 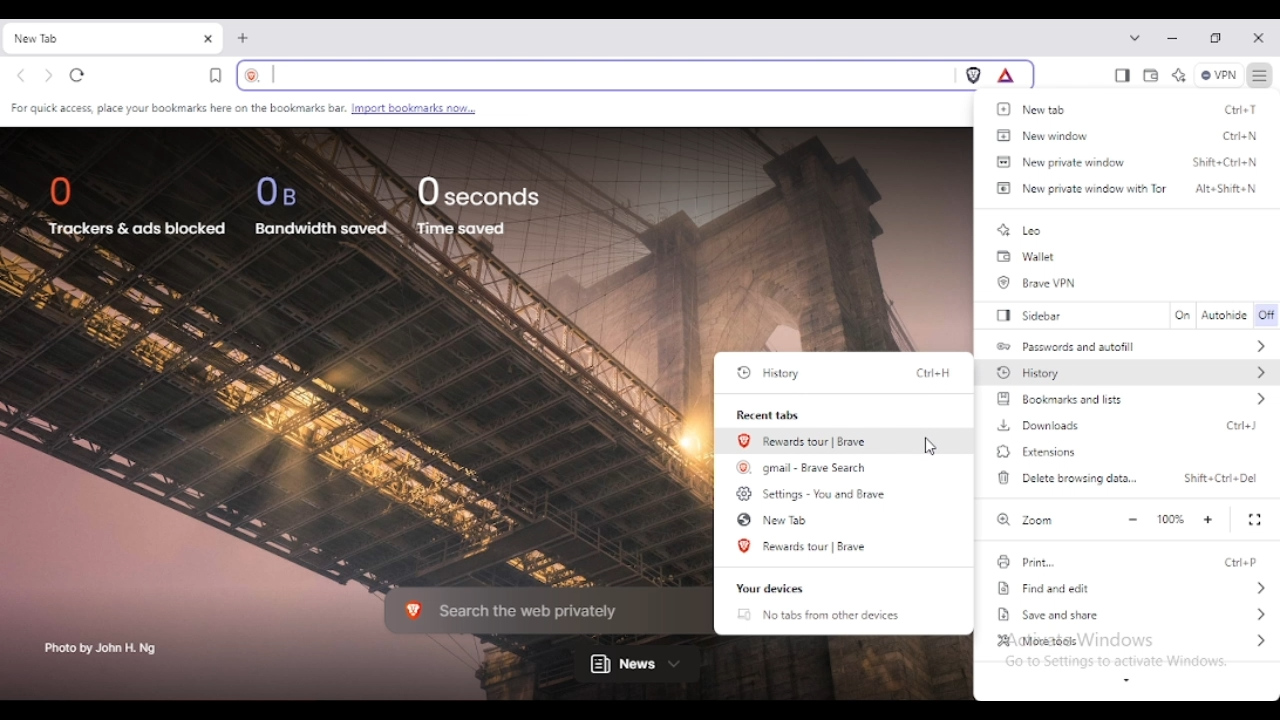 What do you see at coordinates (974, 75) in the screenshot?
I see `brave shields` at bounding box center [974, 75].